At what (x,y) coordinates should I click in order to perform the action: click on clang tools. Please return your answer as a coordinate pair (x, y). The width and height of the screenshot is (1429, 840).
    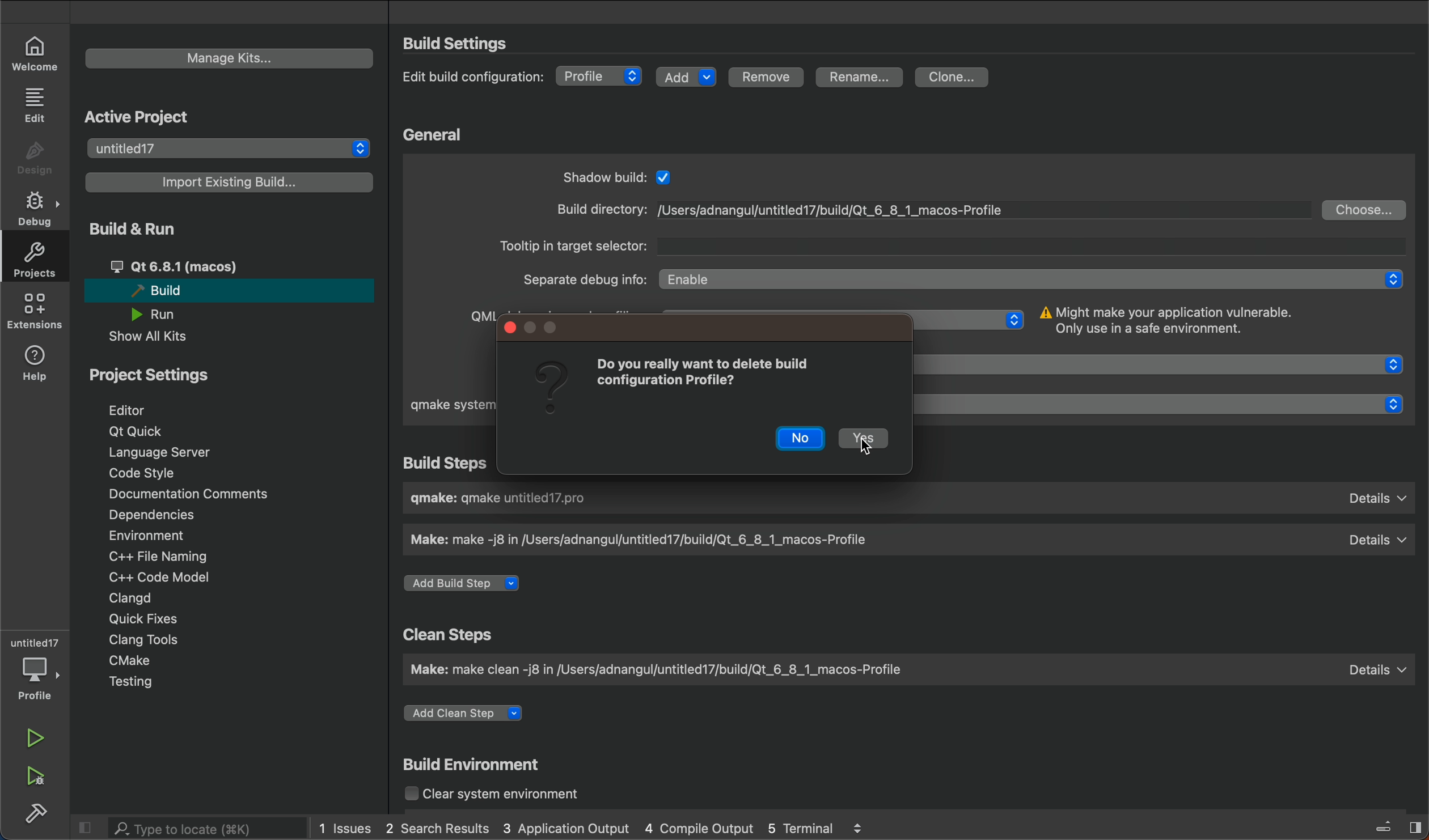
    Looking at the image, I should click on (142, 639).